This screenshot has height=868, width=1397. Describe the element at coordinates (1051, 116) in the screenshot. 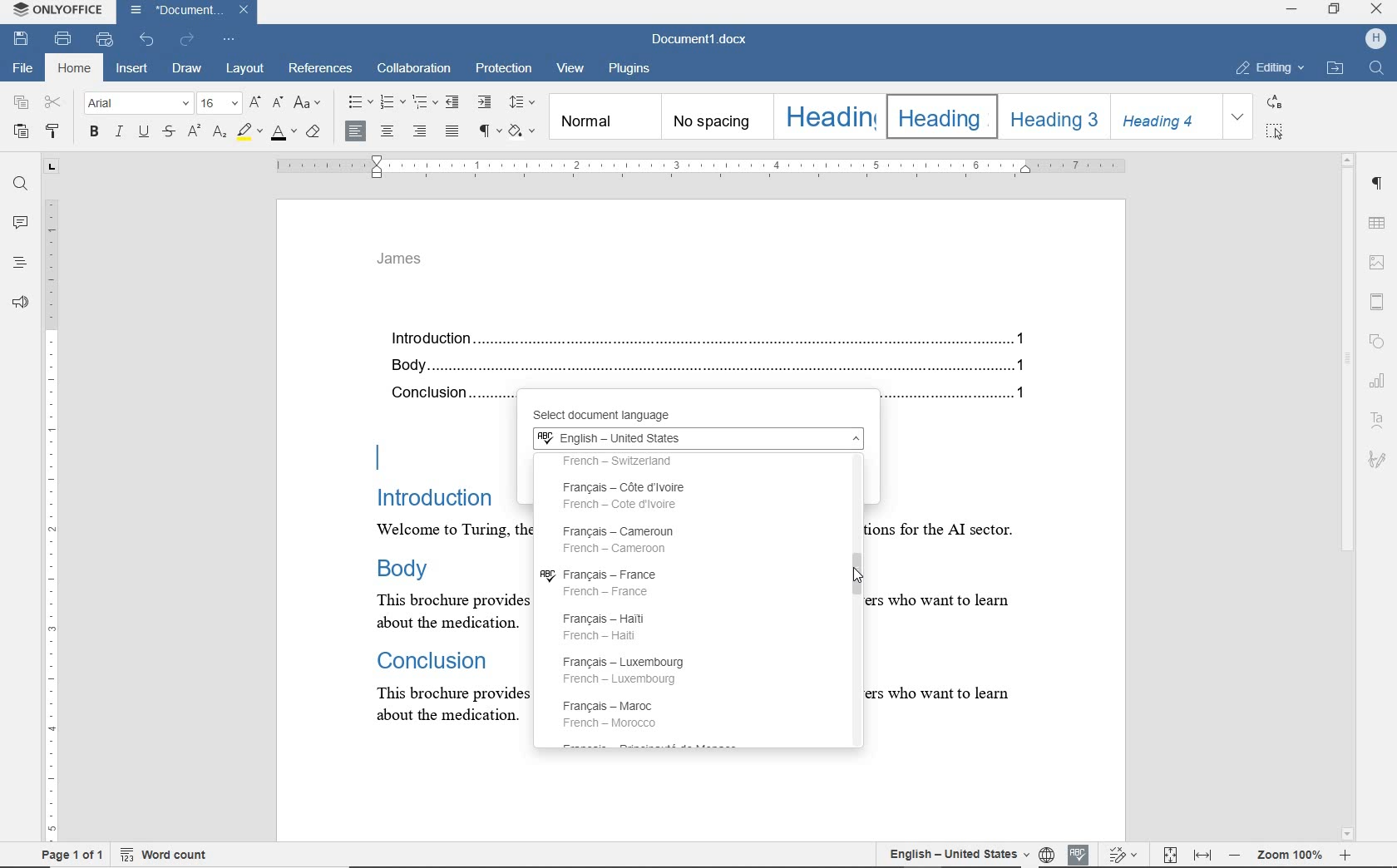

I see `Heading 3` at that location.